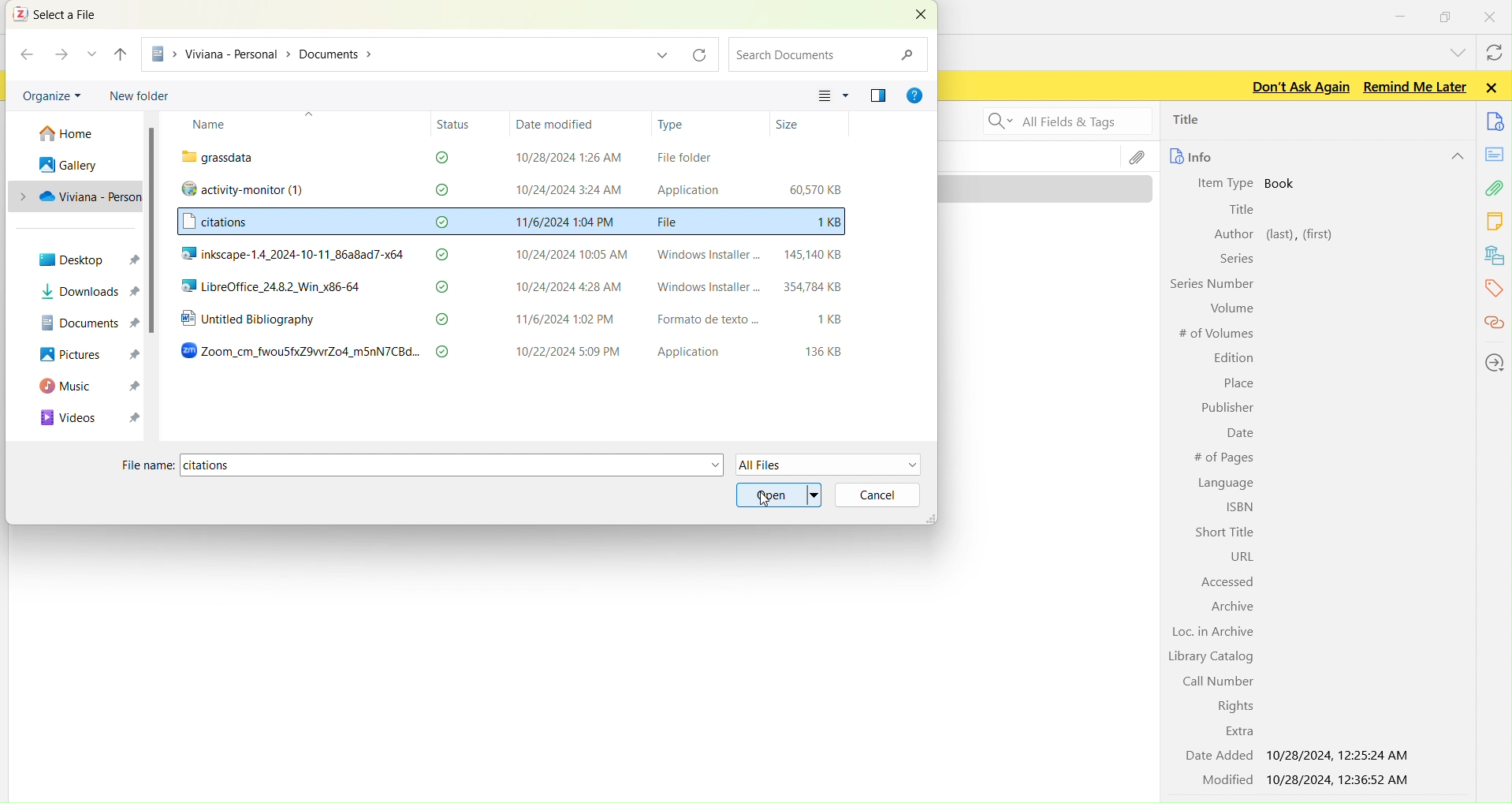 The height and width of the screenshot is (803, 1512). What do you see at coordinates (1493, 364) in the screenshot?
I see `locations` at bounding box center [1493, 364].